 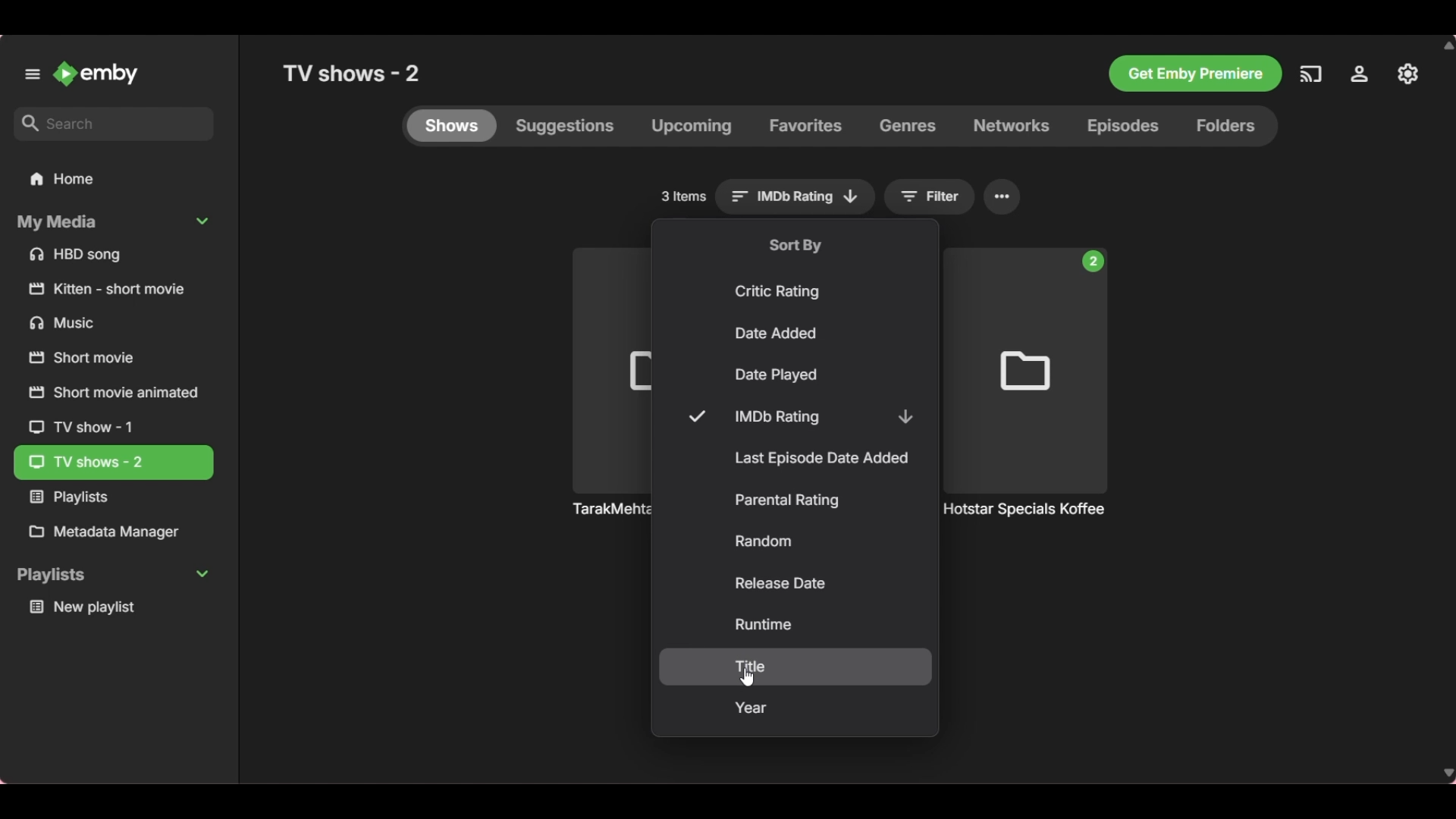 I want to click on Sort randomly, so click(x=796, y=541).